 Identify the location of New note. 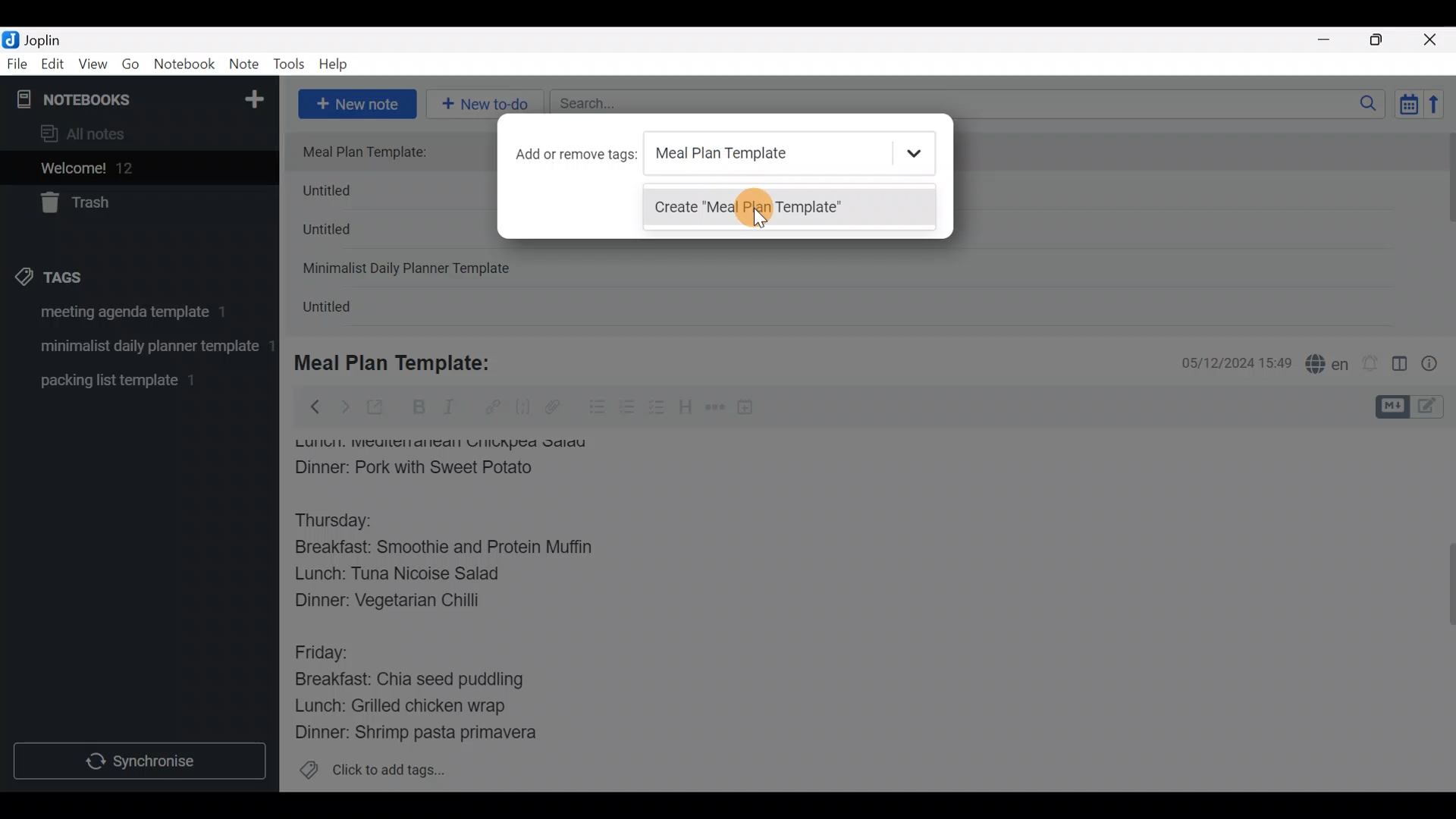
(356, 102).